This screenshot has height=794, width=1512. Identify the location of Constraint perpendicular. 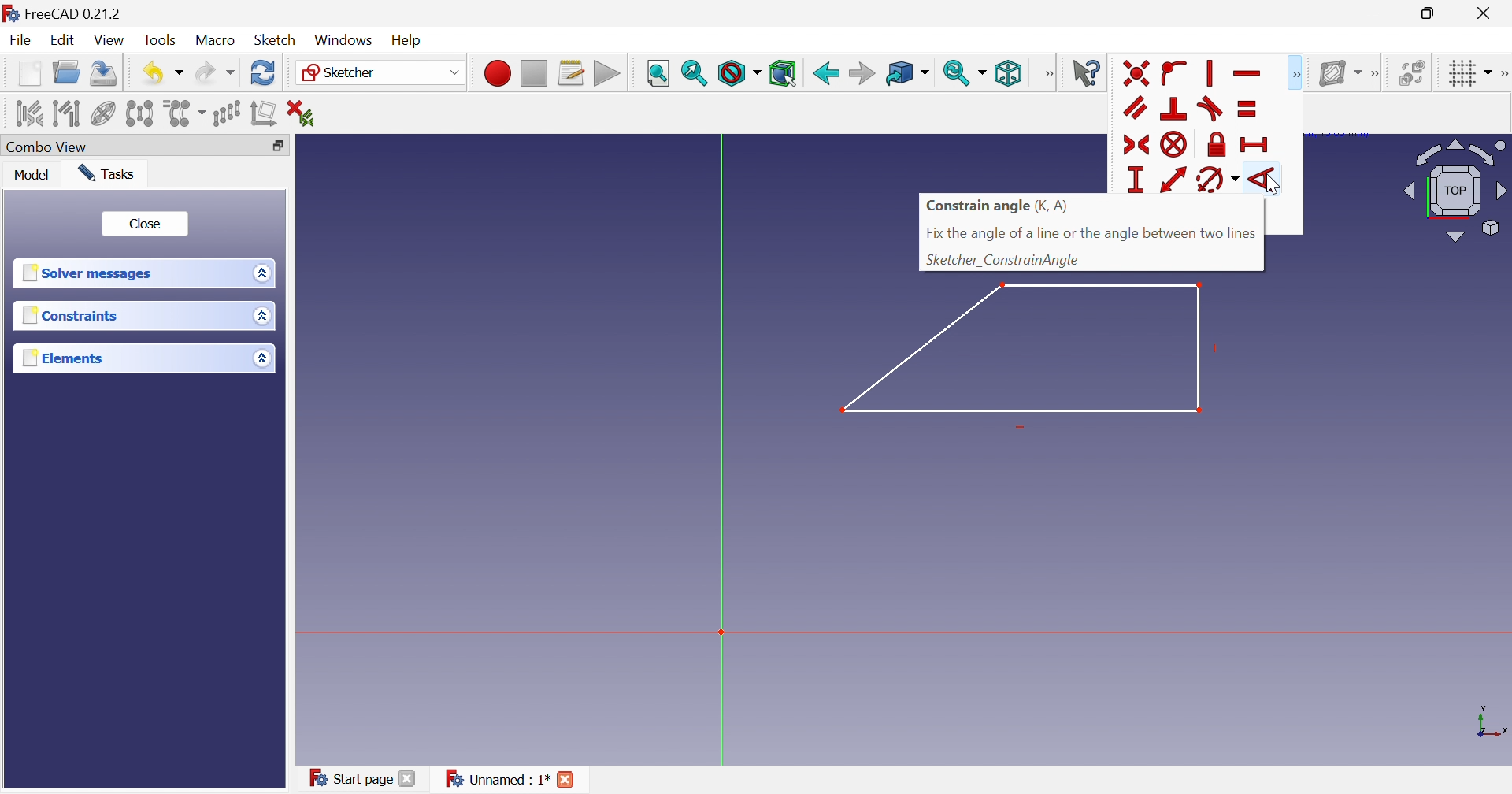
(1175, 109).